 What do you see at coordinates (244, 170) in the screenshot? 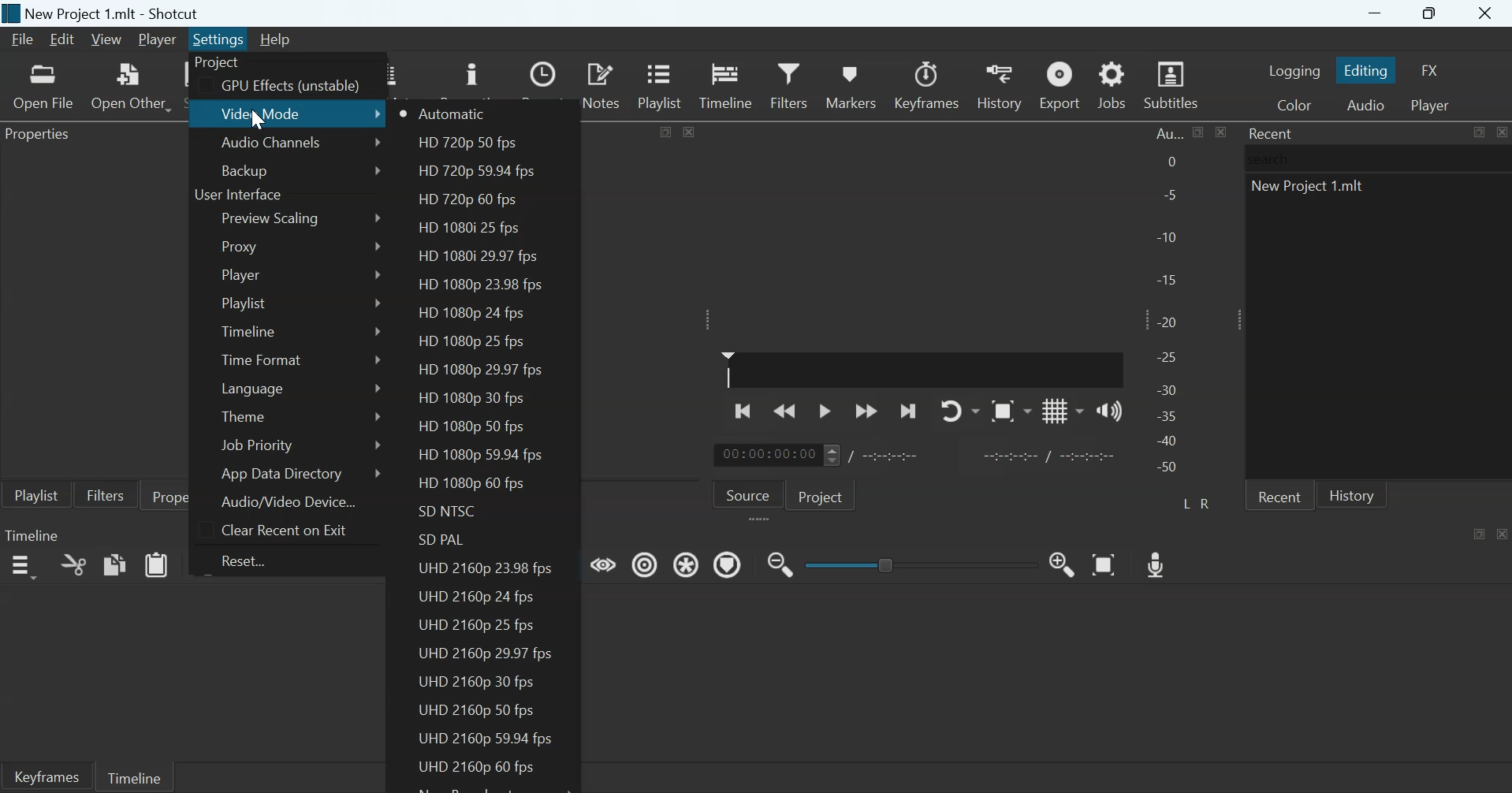
I see `Backup` at bounding box center [244, 170].